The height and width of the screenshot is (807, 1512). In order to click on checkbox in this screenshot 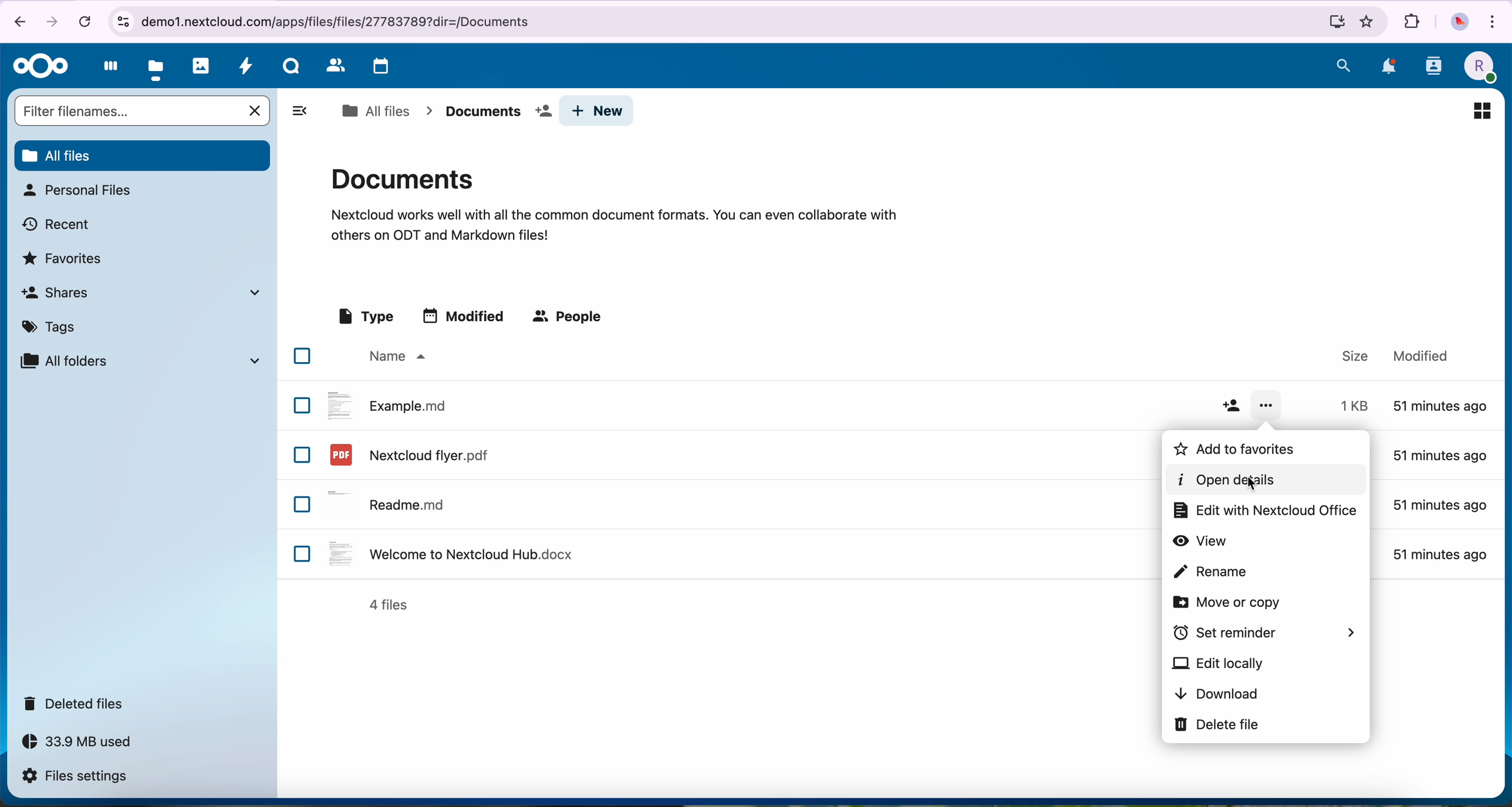, I will do `click(303, 553)`.